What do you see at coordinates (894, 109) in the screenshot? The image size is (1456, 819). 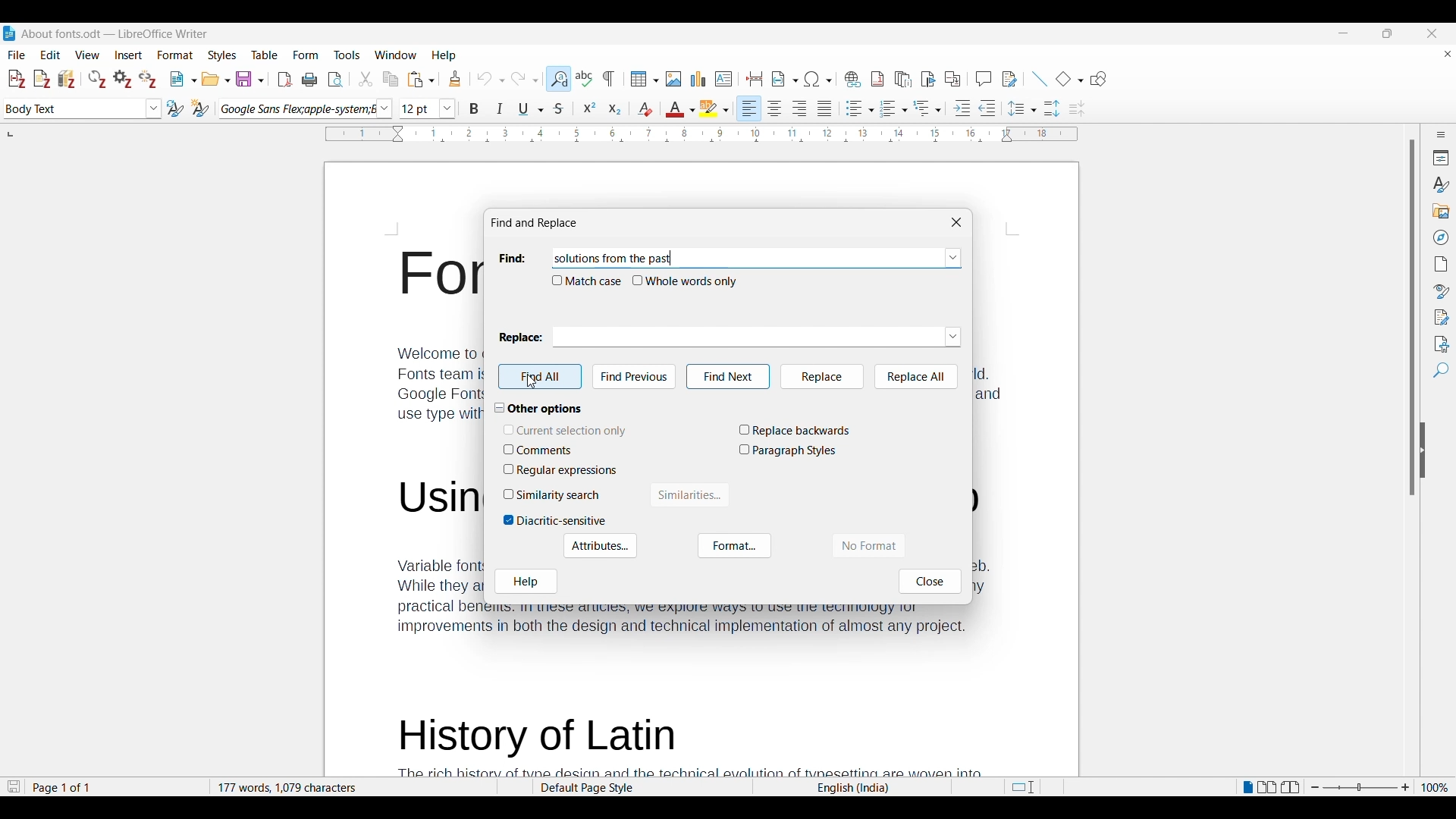 I see `Toggle ordered list options` at bounding box center [894, 109].